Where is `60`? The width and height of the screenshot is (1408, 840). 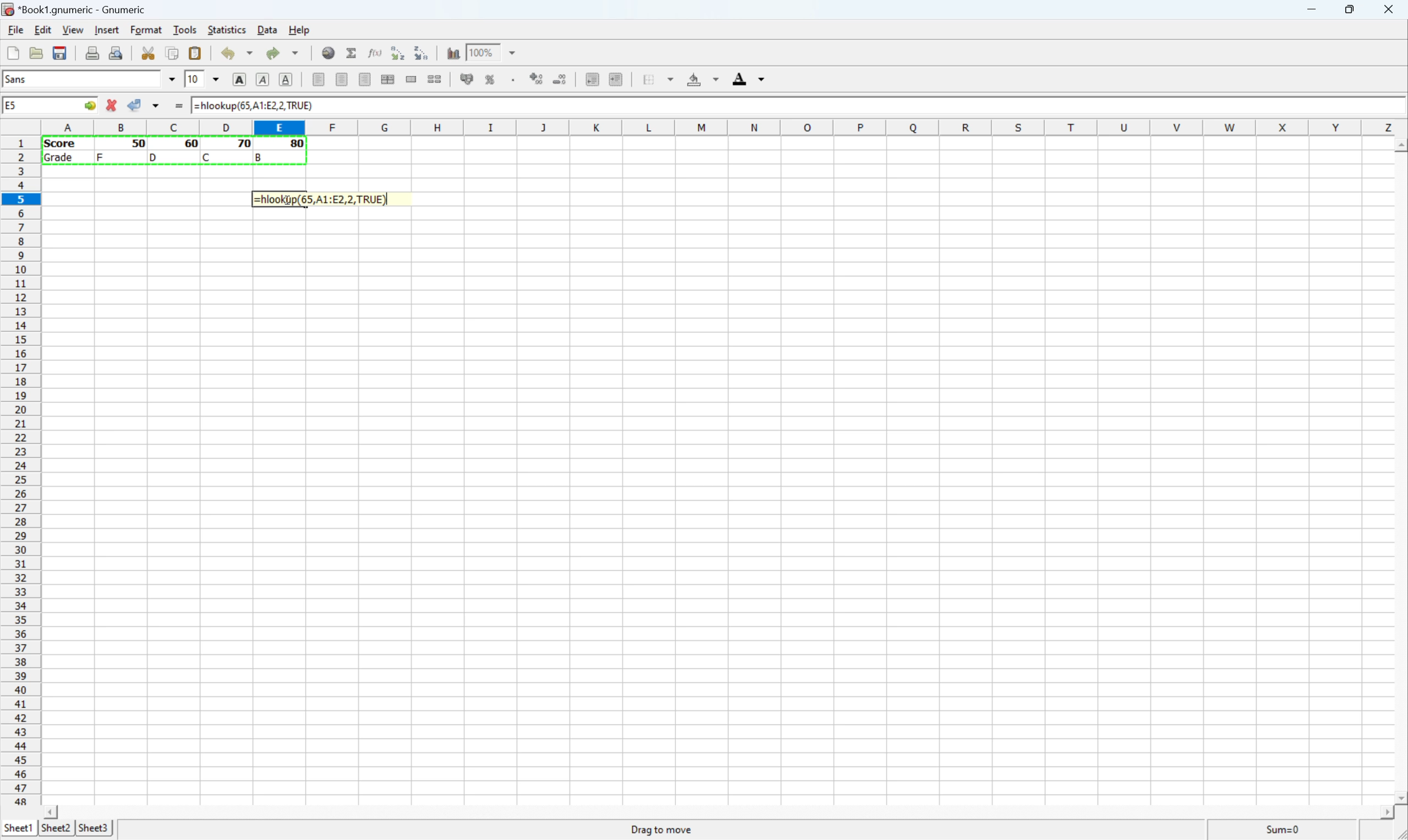
60 is located at coordinates (189, 144).